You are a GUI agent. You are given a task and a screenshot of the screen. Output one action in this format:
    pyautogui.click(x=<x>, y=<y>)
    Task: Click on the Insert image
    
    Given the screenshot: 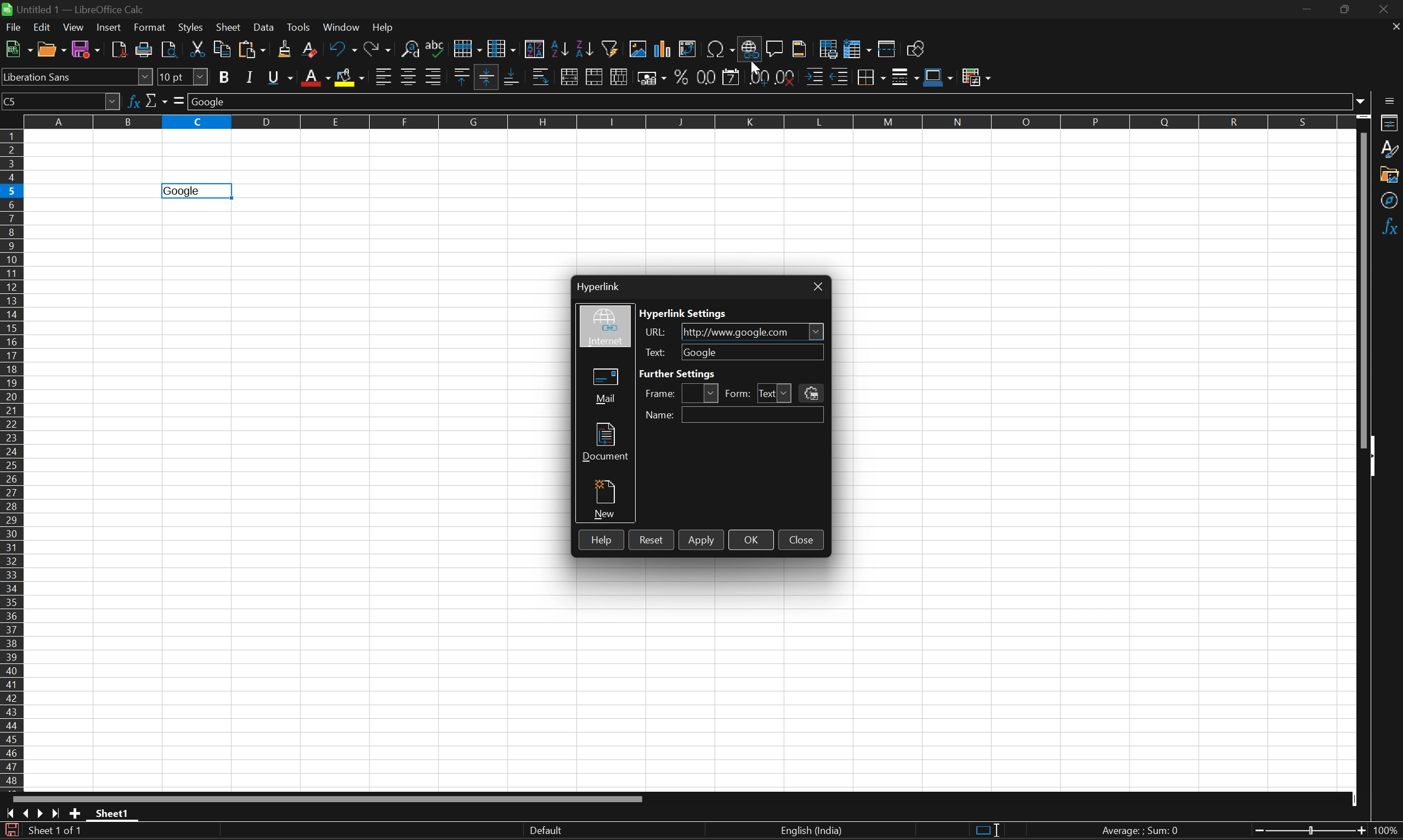 What is the action you would take?
    pyautogui.click(x=639, y=48)
    